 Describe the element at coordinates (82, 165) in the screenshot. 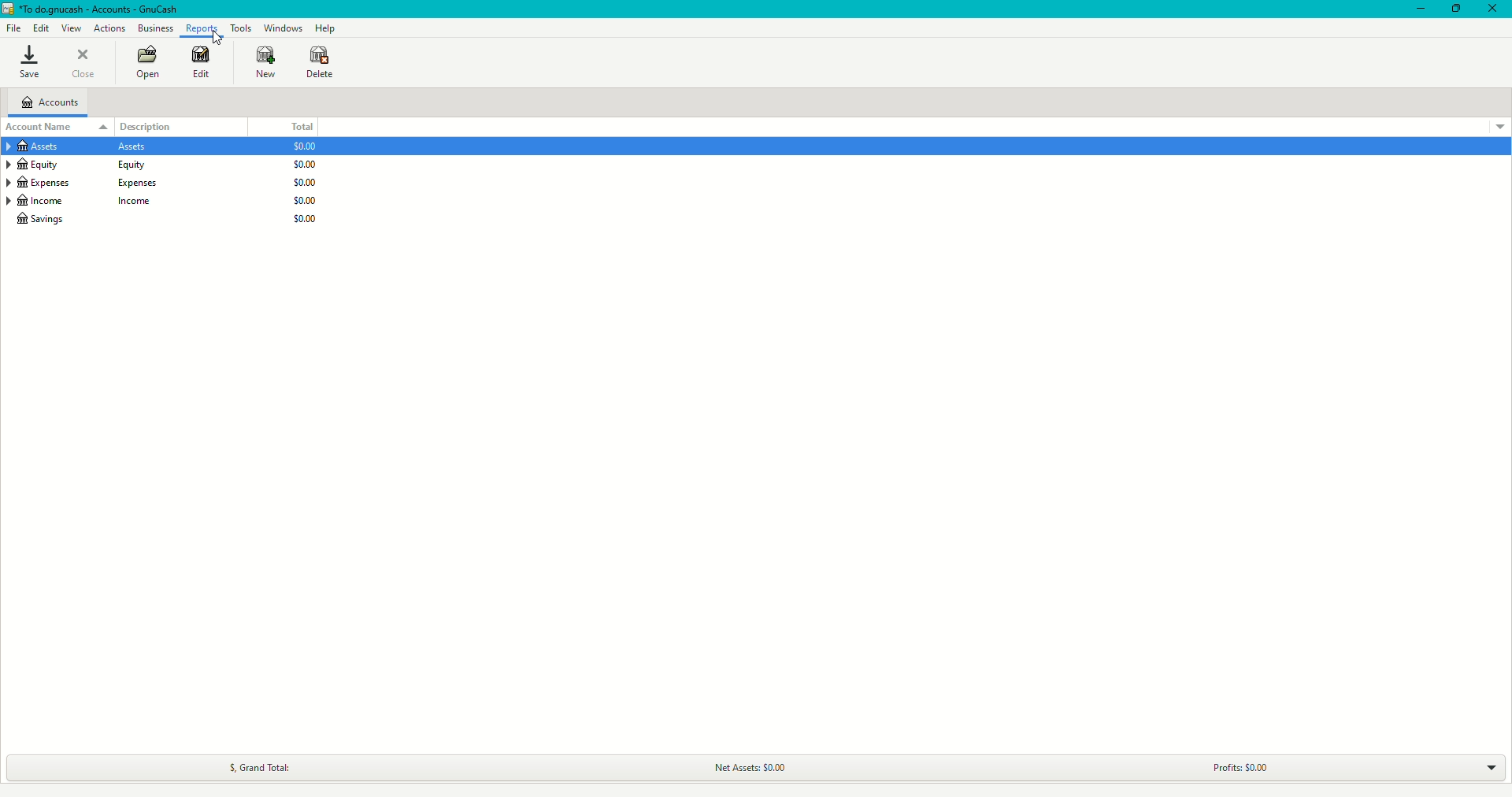

I see `Equity` at that location.